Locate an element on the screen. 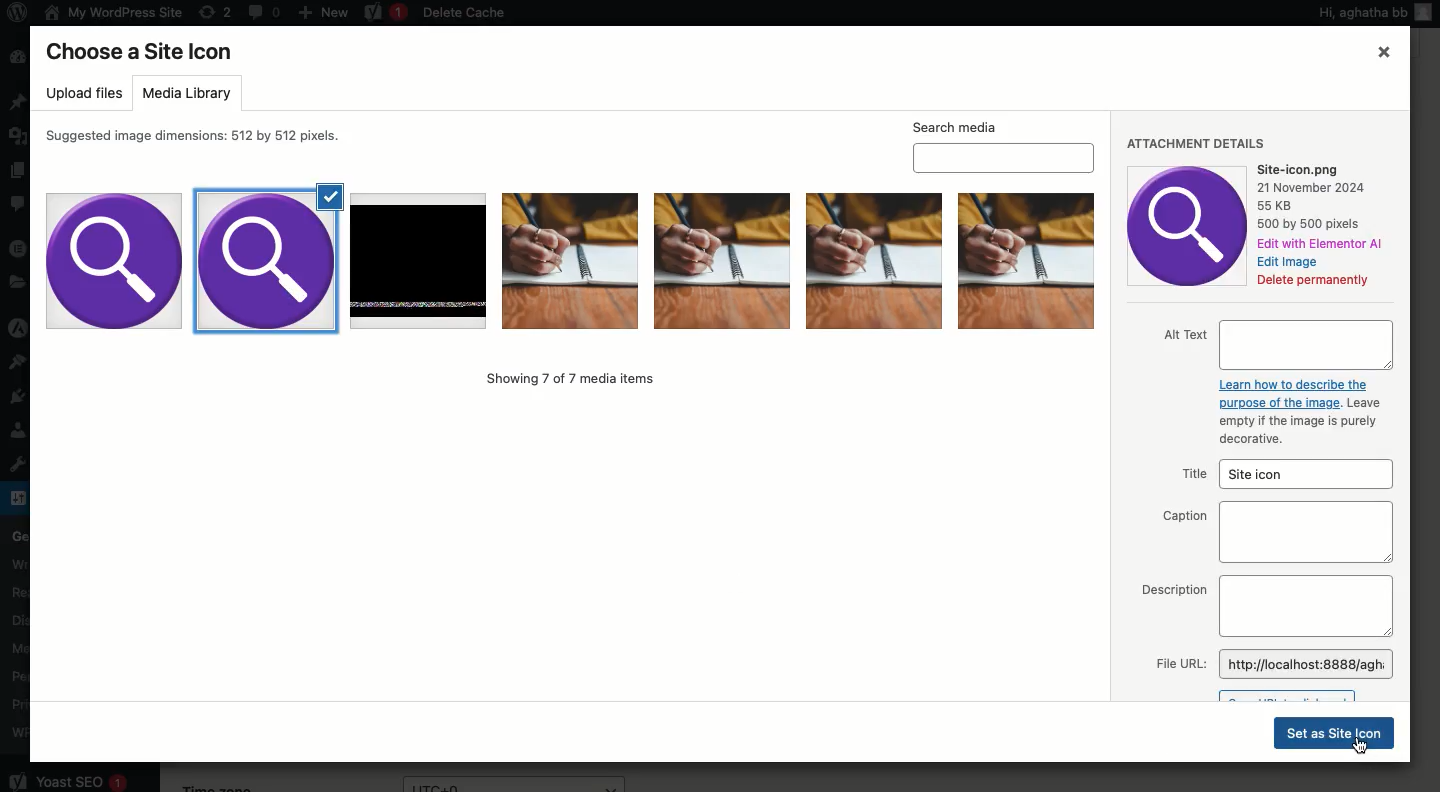  Templates is located at coordinates (17, 283).